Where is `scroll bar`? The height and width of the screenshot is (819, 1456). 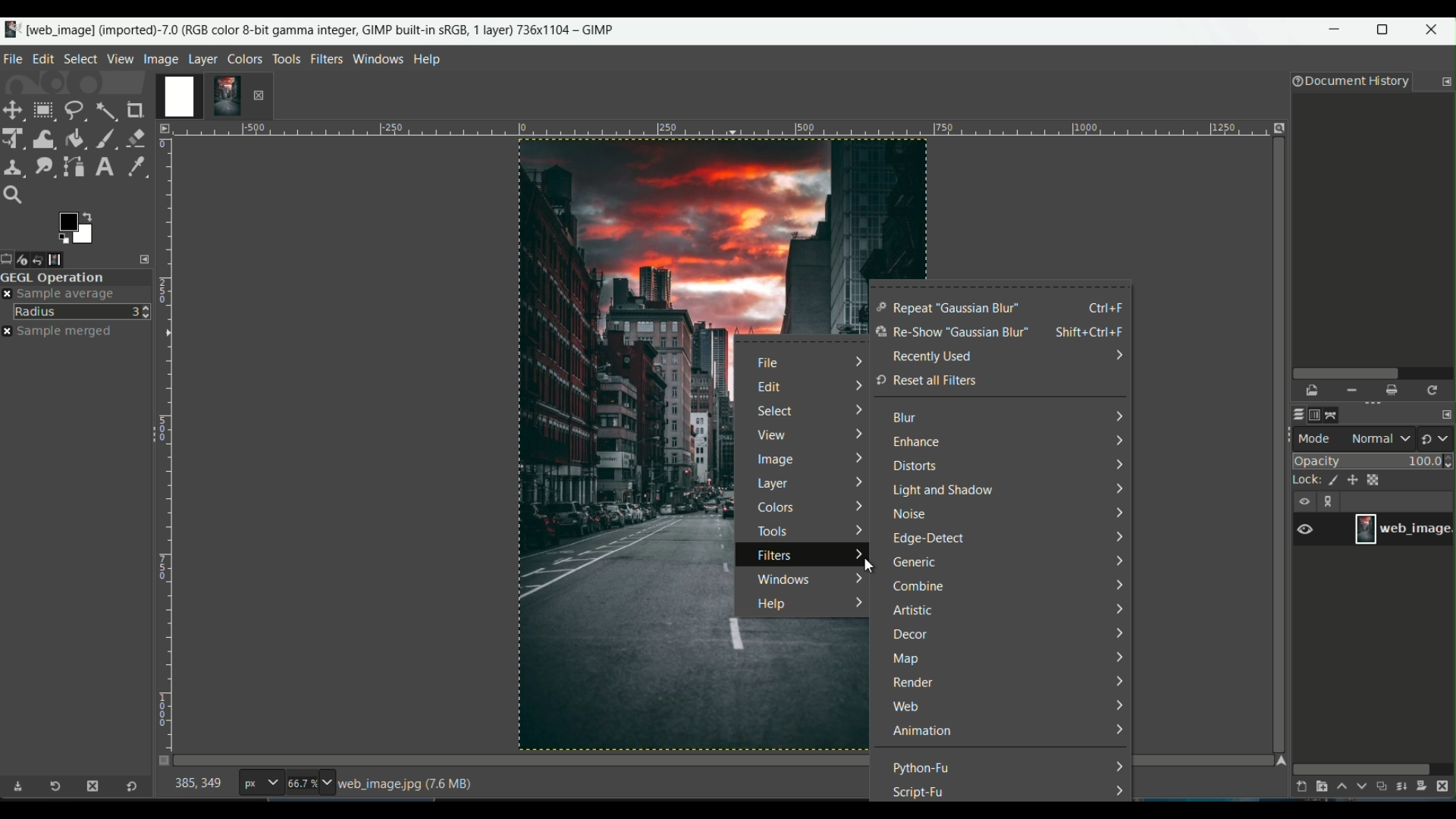
scroll bar is located at coordinates (1370, 372).